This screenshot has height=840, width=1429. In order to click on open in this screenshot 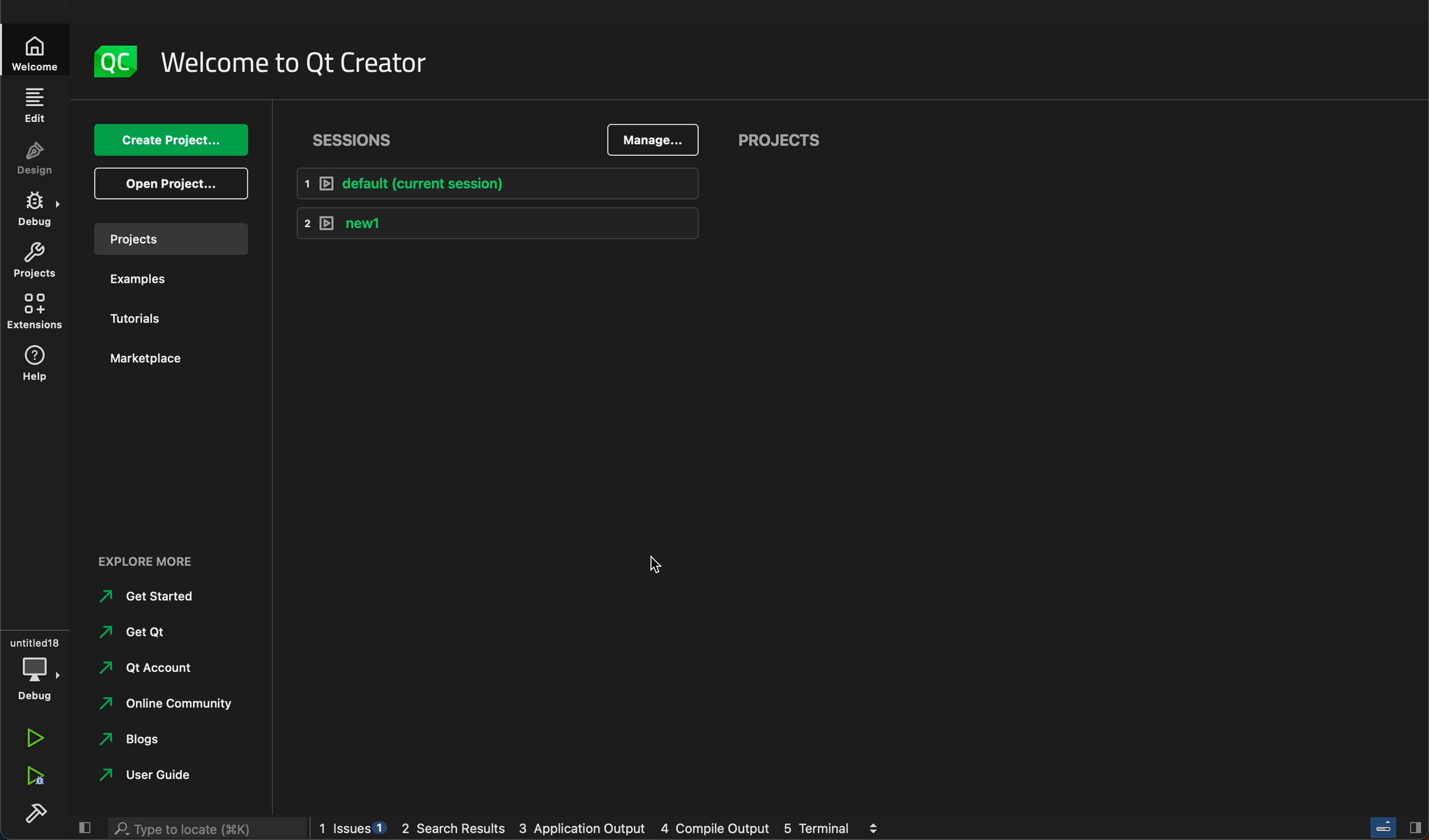, I will do `click(173, 186)`.